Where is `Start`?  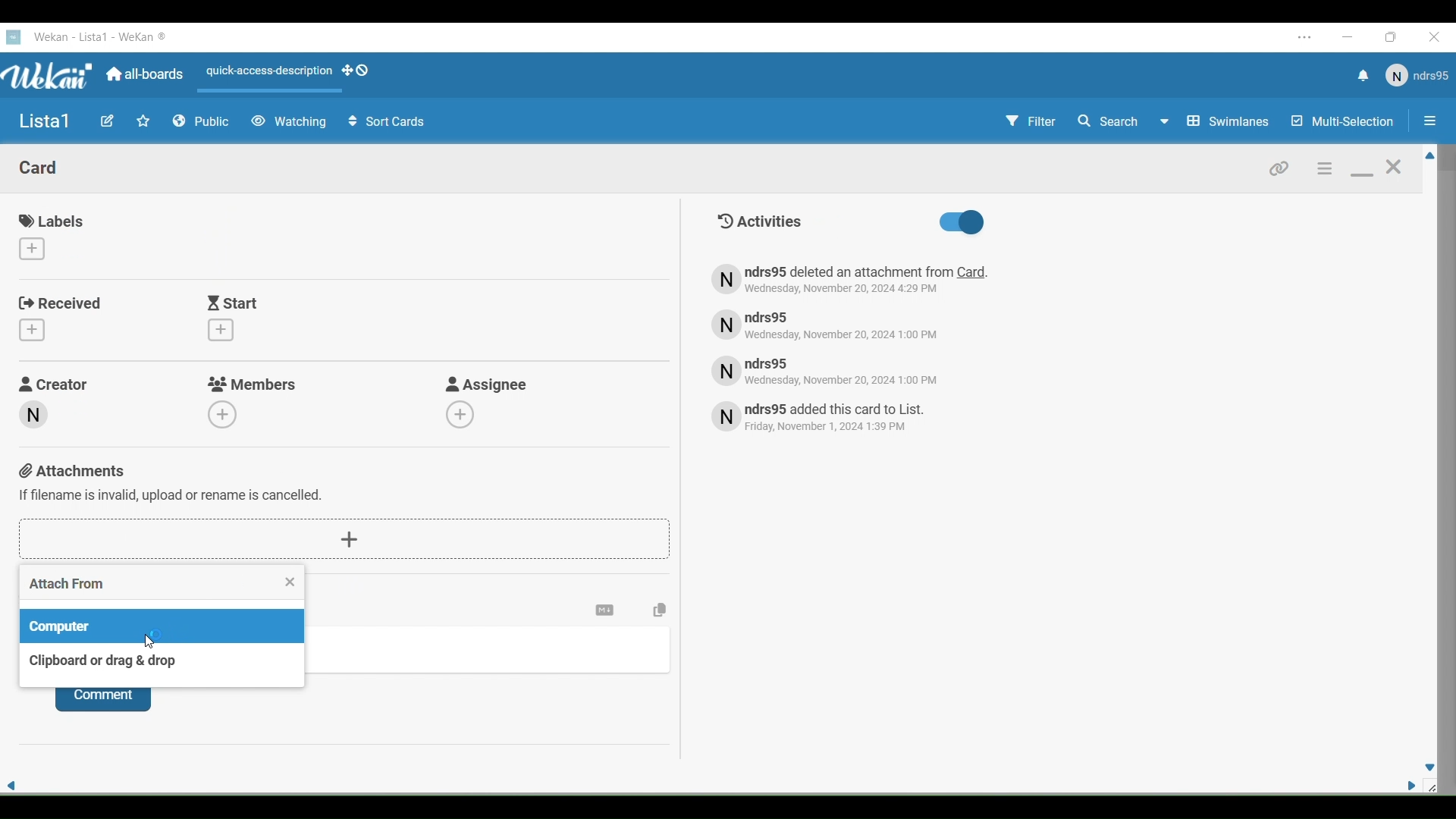 Start is located at coordinates (234, 303).